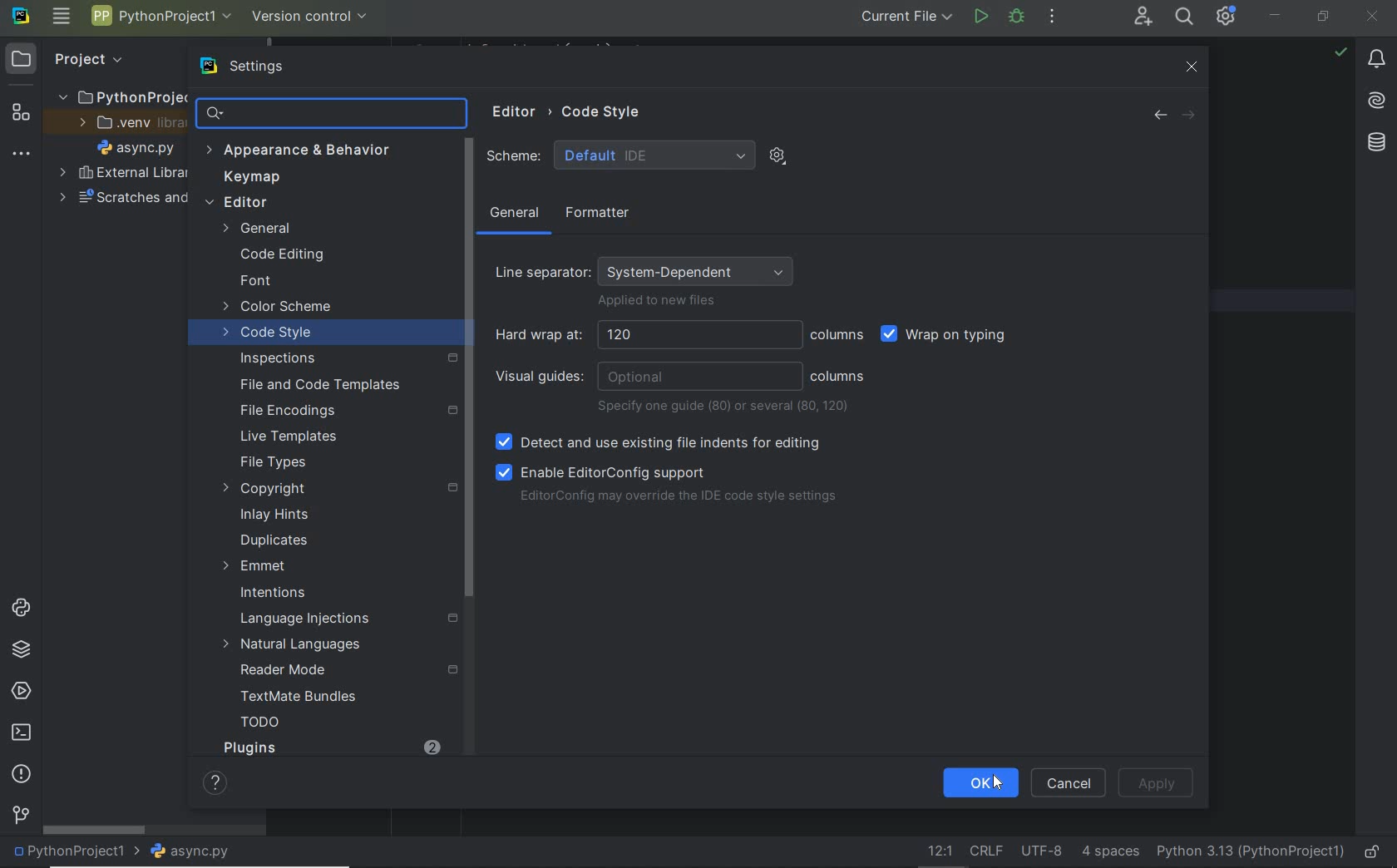 The image size is (1397, 868). I want to click on system name, so click(21, 19).